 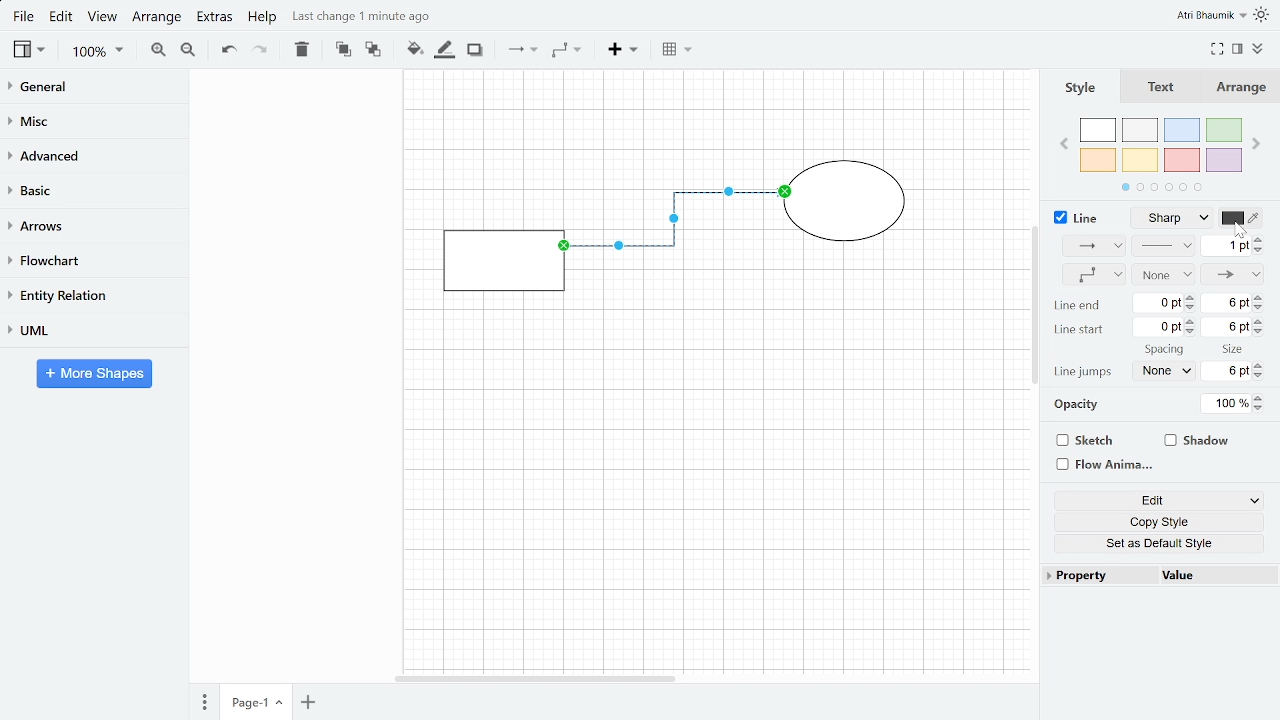 What do you see at coordinates (1165, 274) in the screenshot?
I see `Line start` at bounding box center [1165, 274].